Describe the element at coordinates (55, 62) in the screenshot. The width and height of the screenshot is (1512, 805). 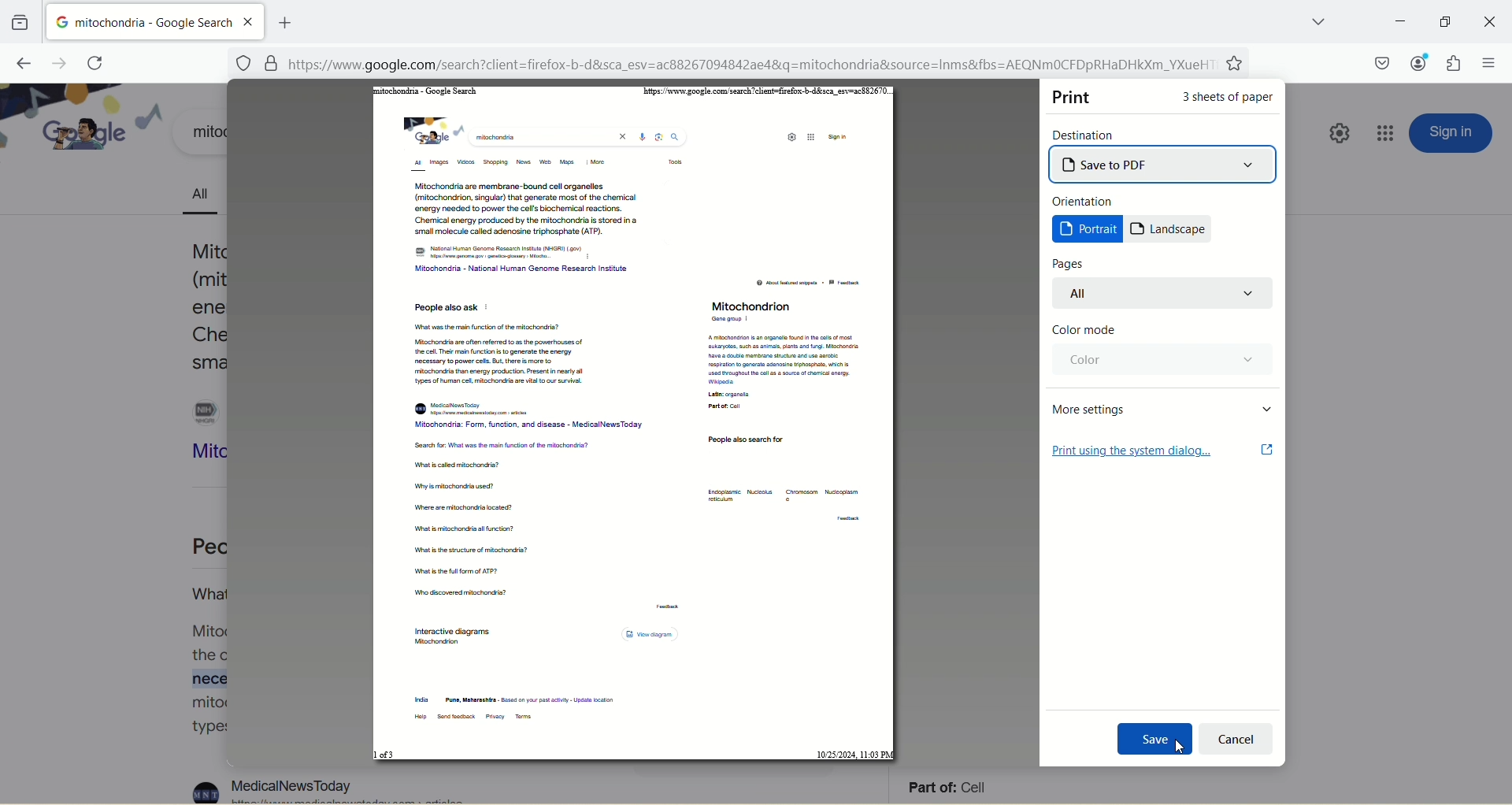
I see `go forward one page` at that location.